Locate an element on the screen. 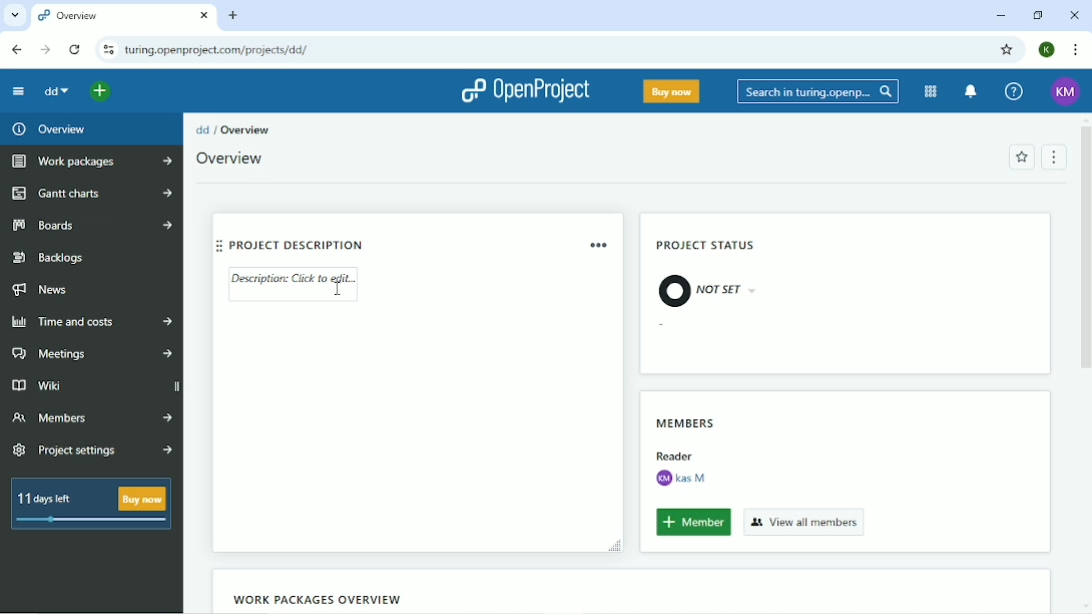 The image size is (1092, 614). To notification center is located at coordinates (972, 91).